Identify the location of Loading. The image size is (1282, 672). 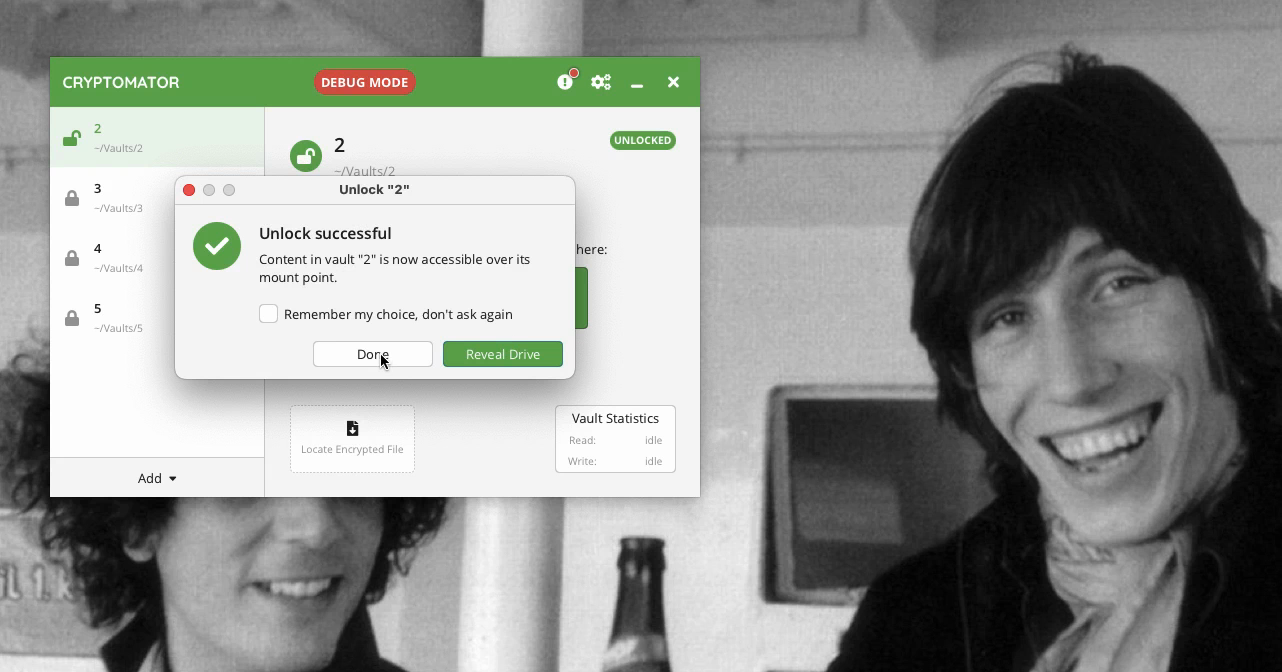
(72, 137).